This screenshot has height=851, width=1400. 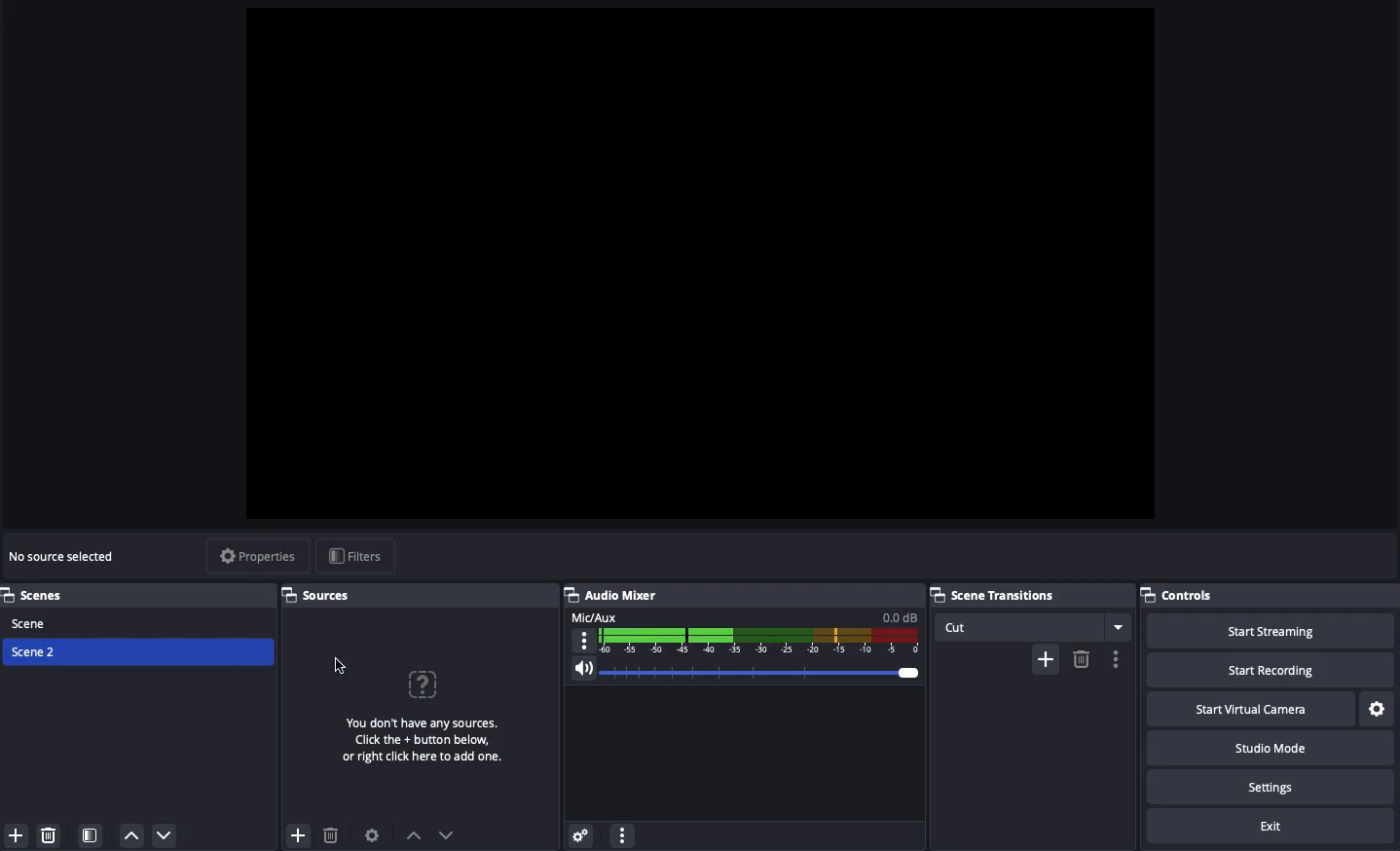 I want to click on Properties, so click(x=257, y=555).